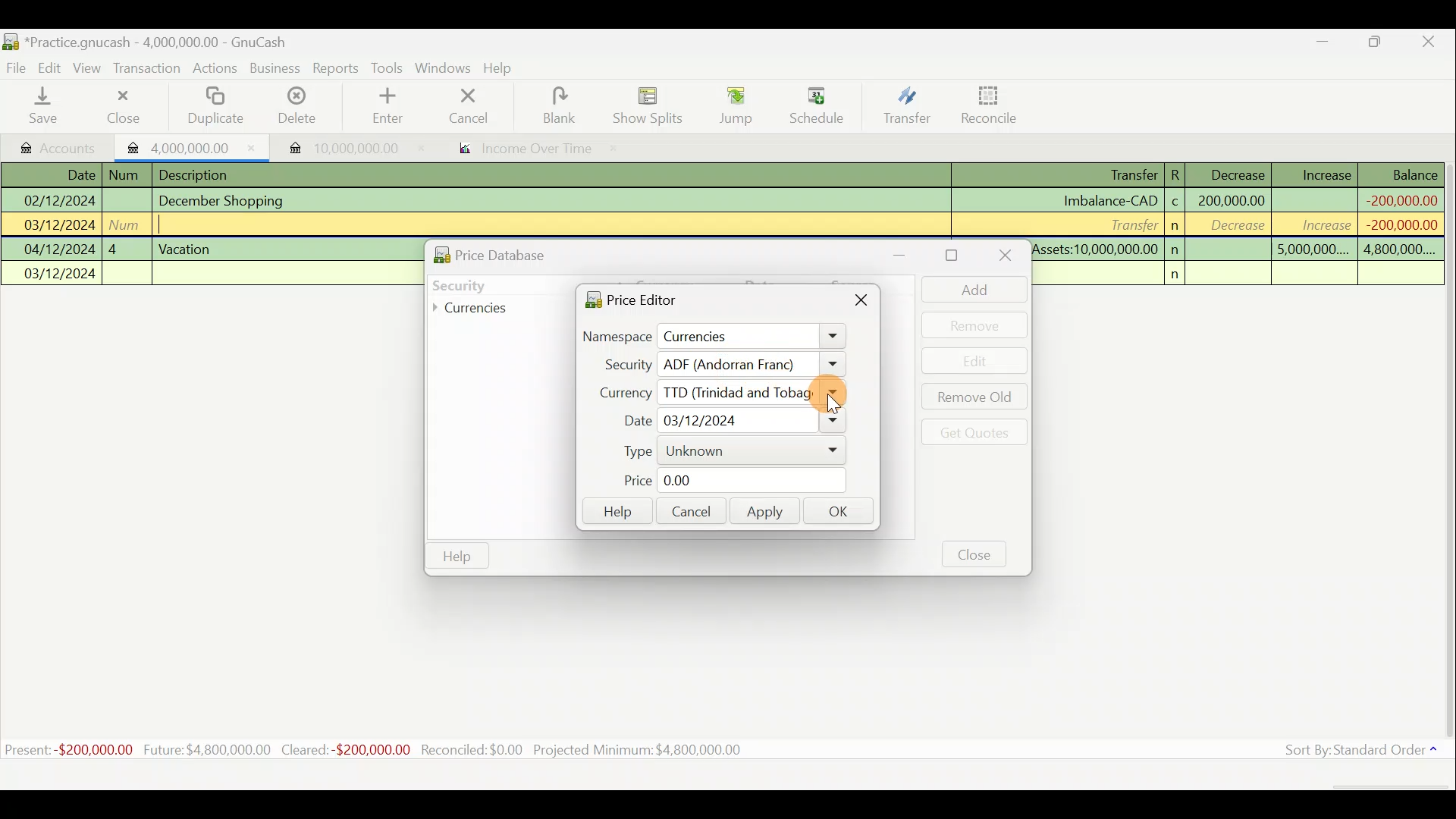  Describe the element at coordinates (904, 108) in the screenshot. I see `Transfer` at that location.